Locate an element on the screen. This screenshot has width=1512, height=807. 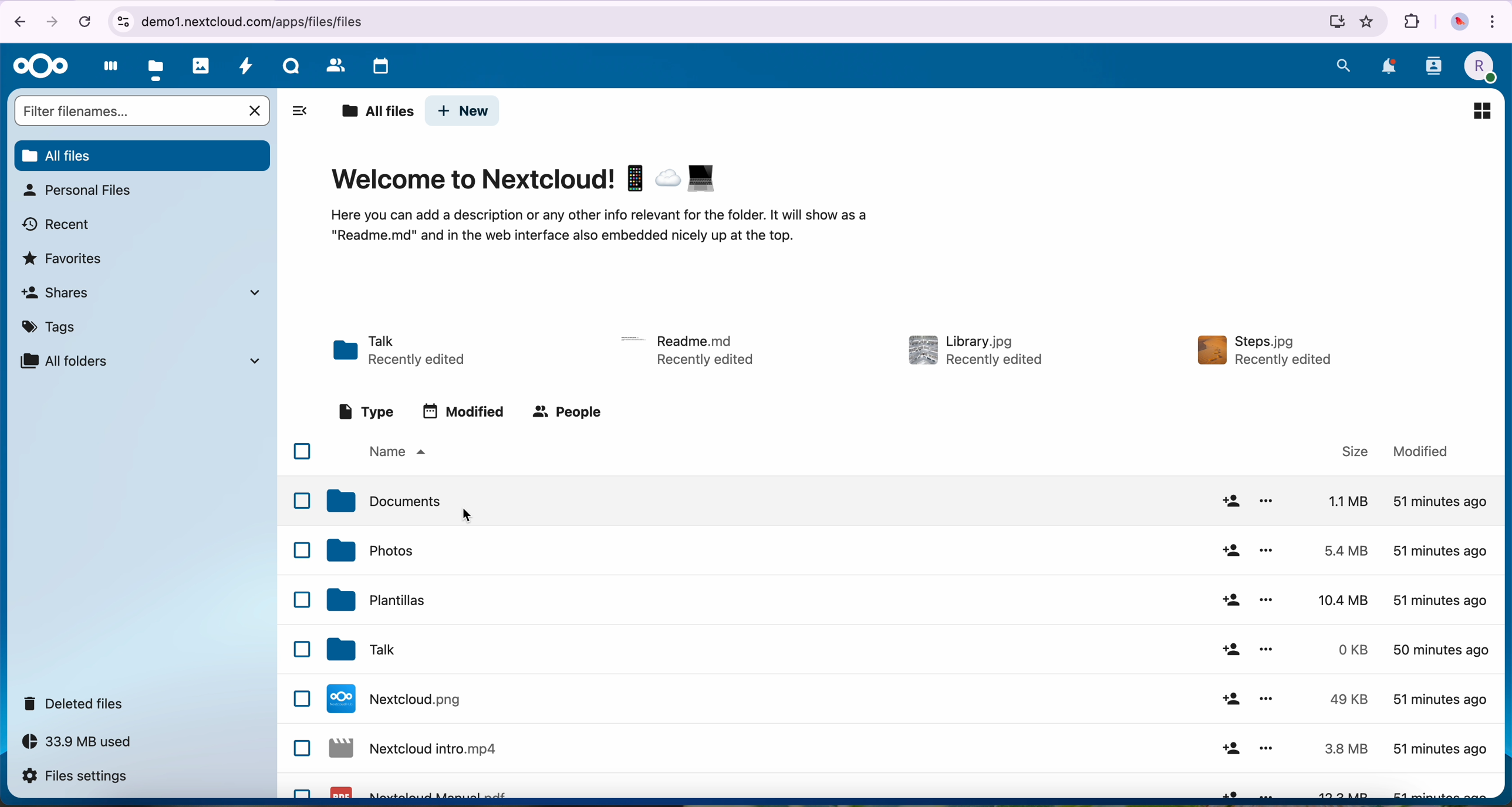
shares tab is located at coordinates (146, 292).